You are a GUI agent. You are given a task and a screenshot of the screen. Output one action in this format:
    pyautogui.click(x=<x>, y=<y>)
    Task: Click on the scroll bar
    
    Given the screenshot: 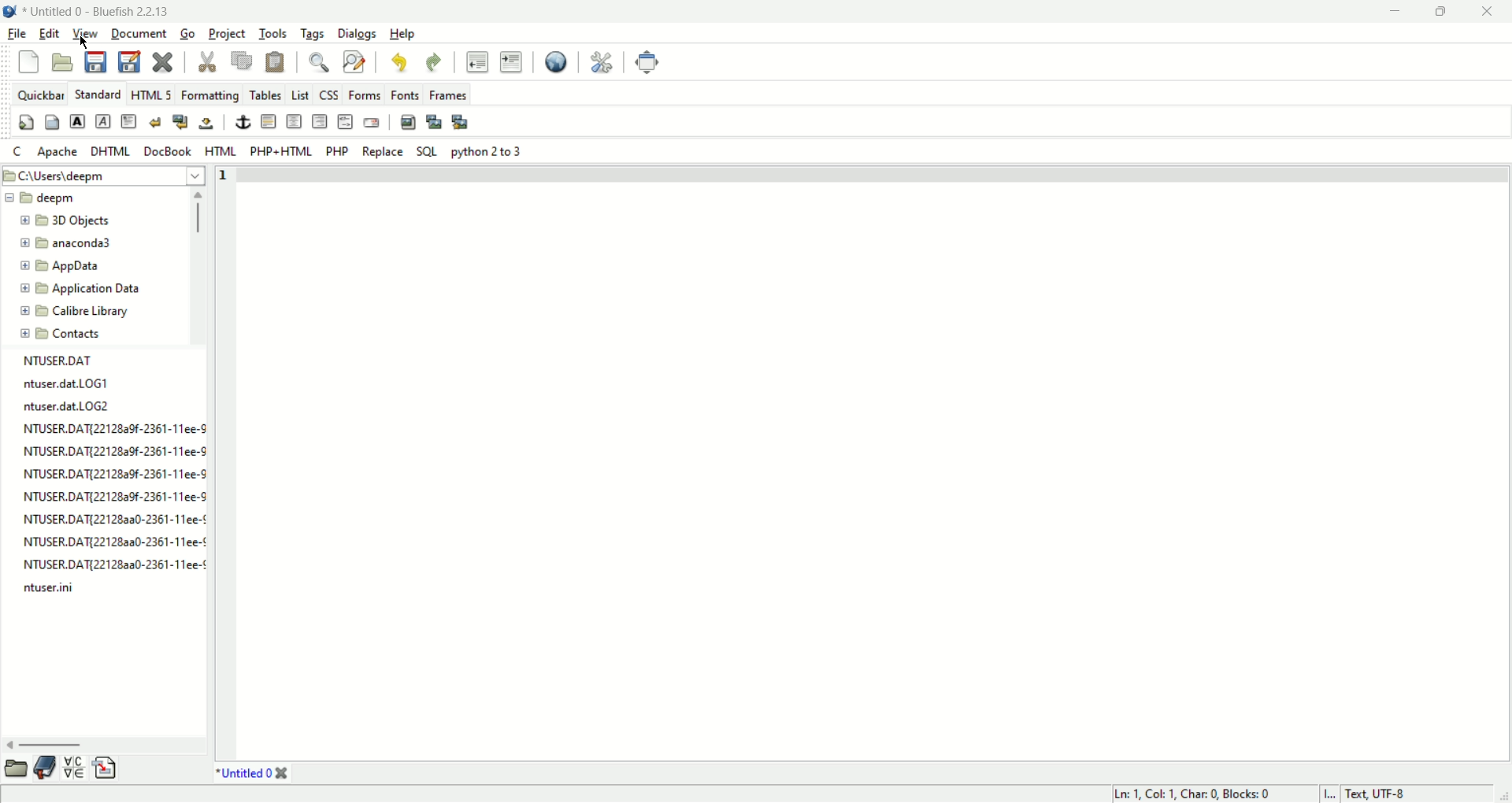 What is the action you would take?
    pyautogui.click(x=16, y=768)
    